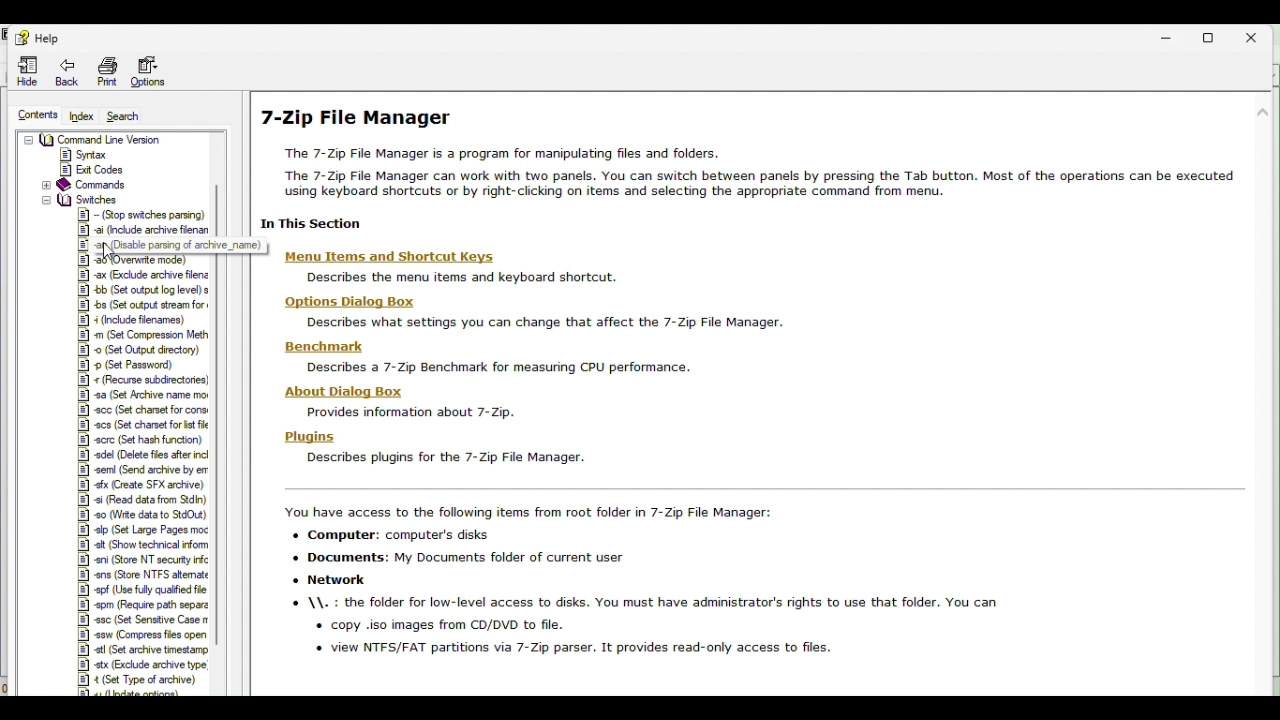  Describe the element at coordinates (141, 213) in the screenshot. I see `2] - (Stop switches parsing)` at that location.